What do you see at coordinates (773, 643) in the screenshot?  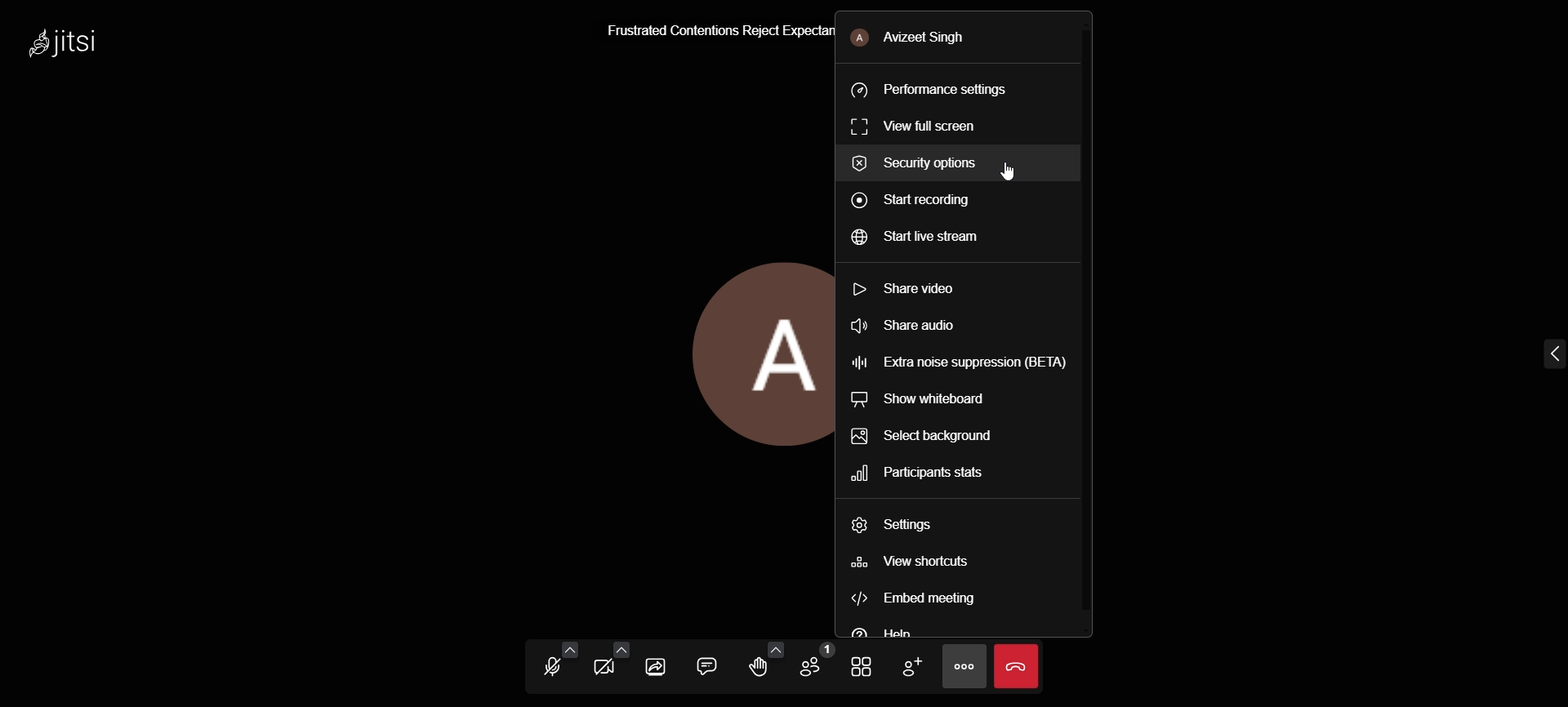 I see `more reactions` at bounding box center [773, 643].